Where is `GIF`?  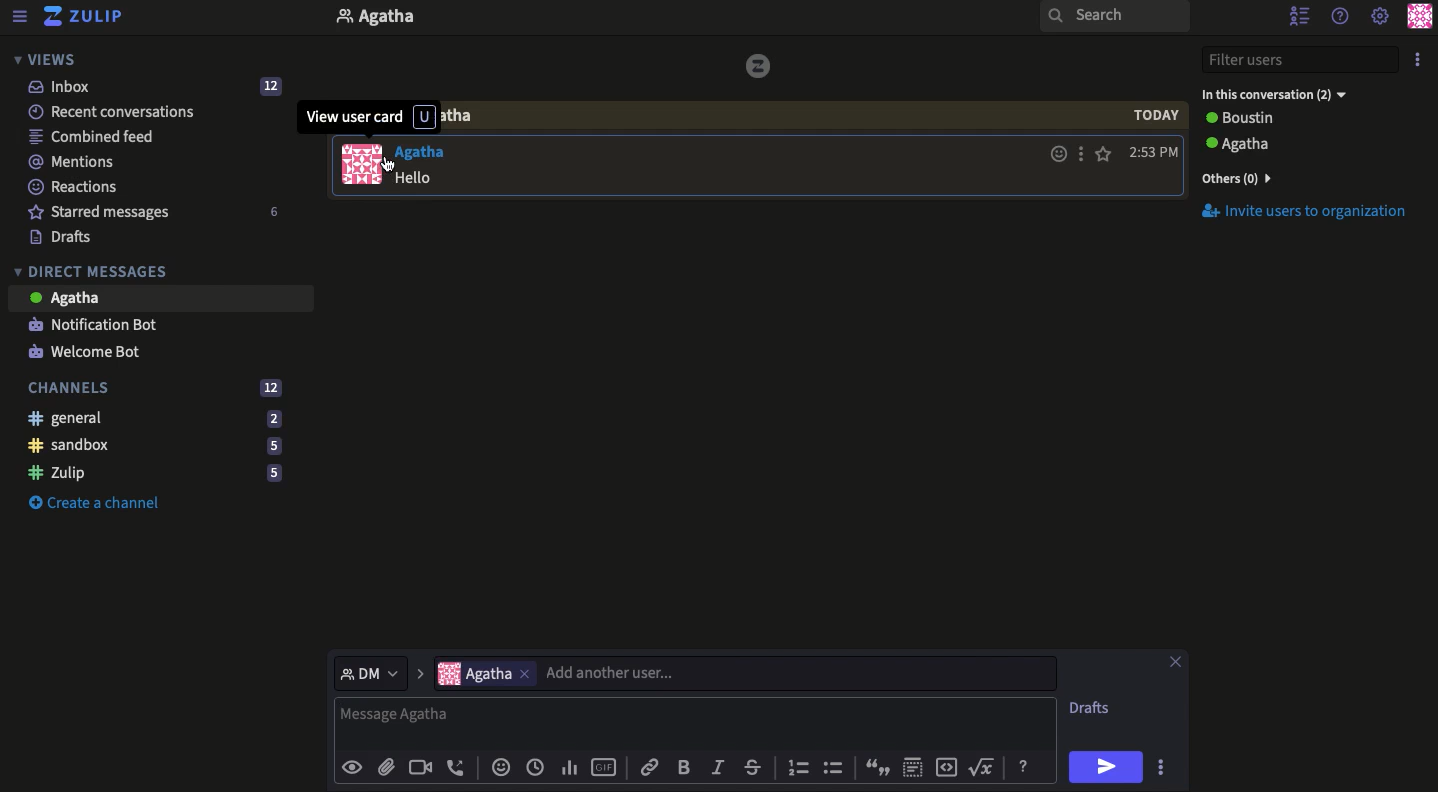
GIF is located at coordinates (607, 767).